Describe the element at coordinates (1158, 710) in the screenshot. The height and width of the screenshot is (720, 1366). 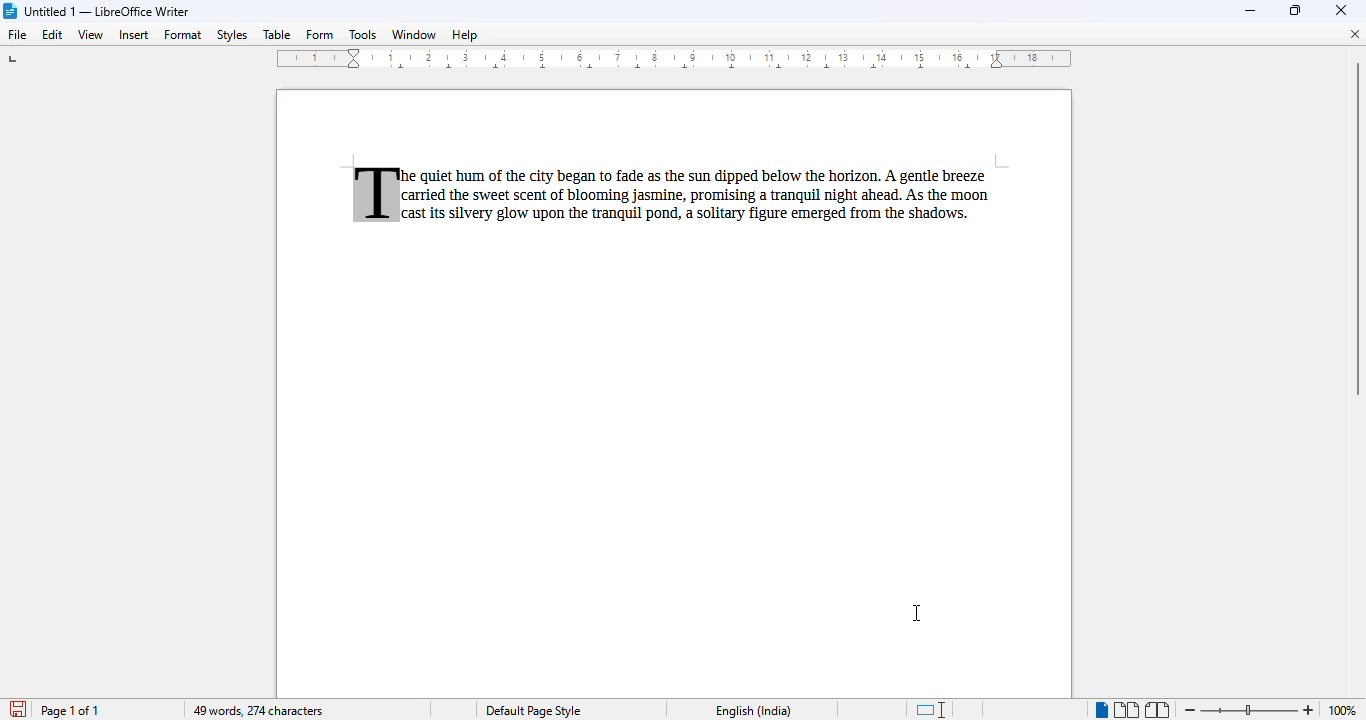
I see `book view` at that location.